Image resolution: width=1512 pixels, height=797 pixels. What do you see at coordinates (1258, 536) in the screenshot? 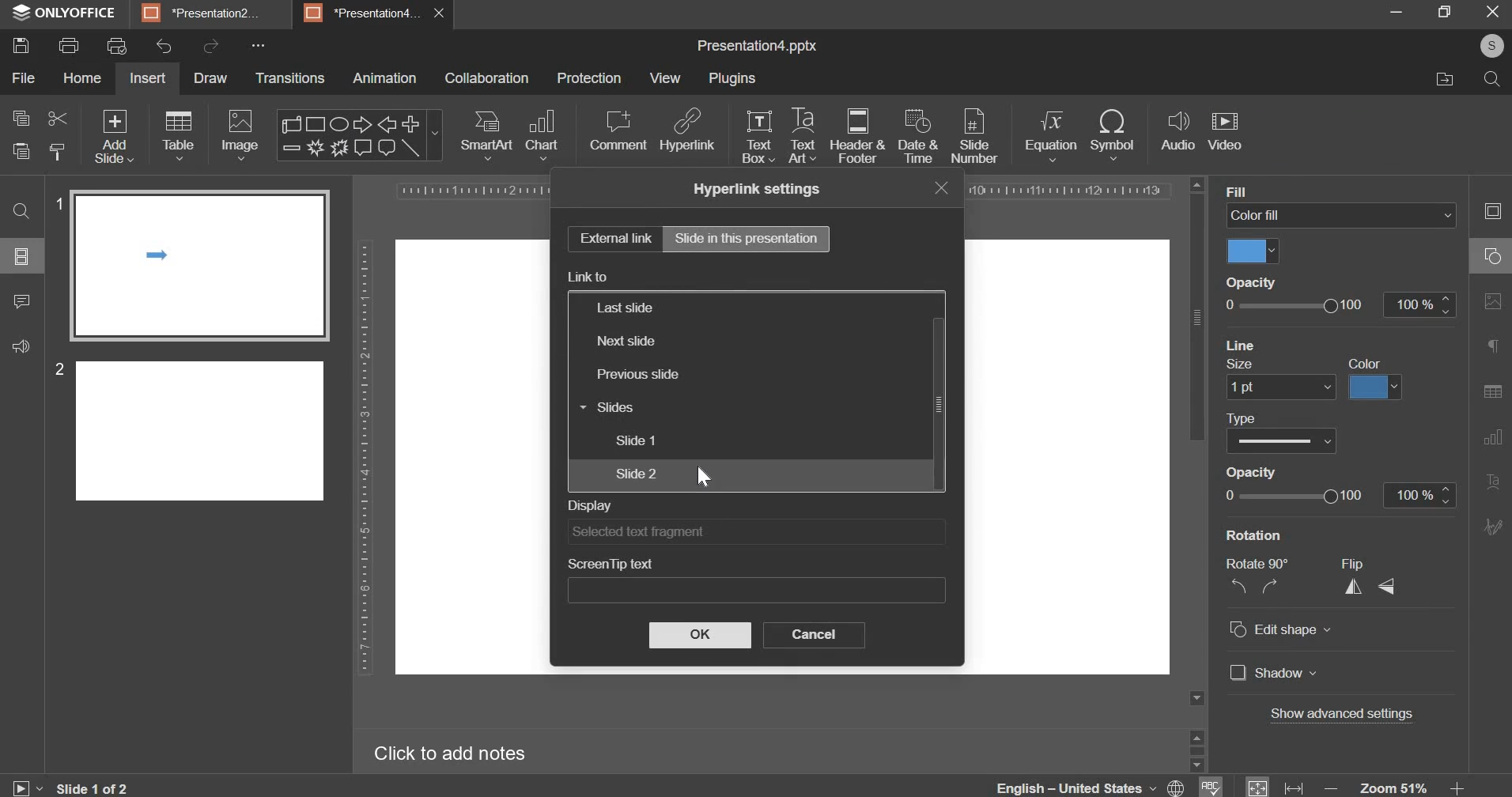
I see `Rotation` at bounding box center [1258, 536].